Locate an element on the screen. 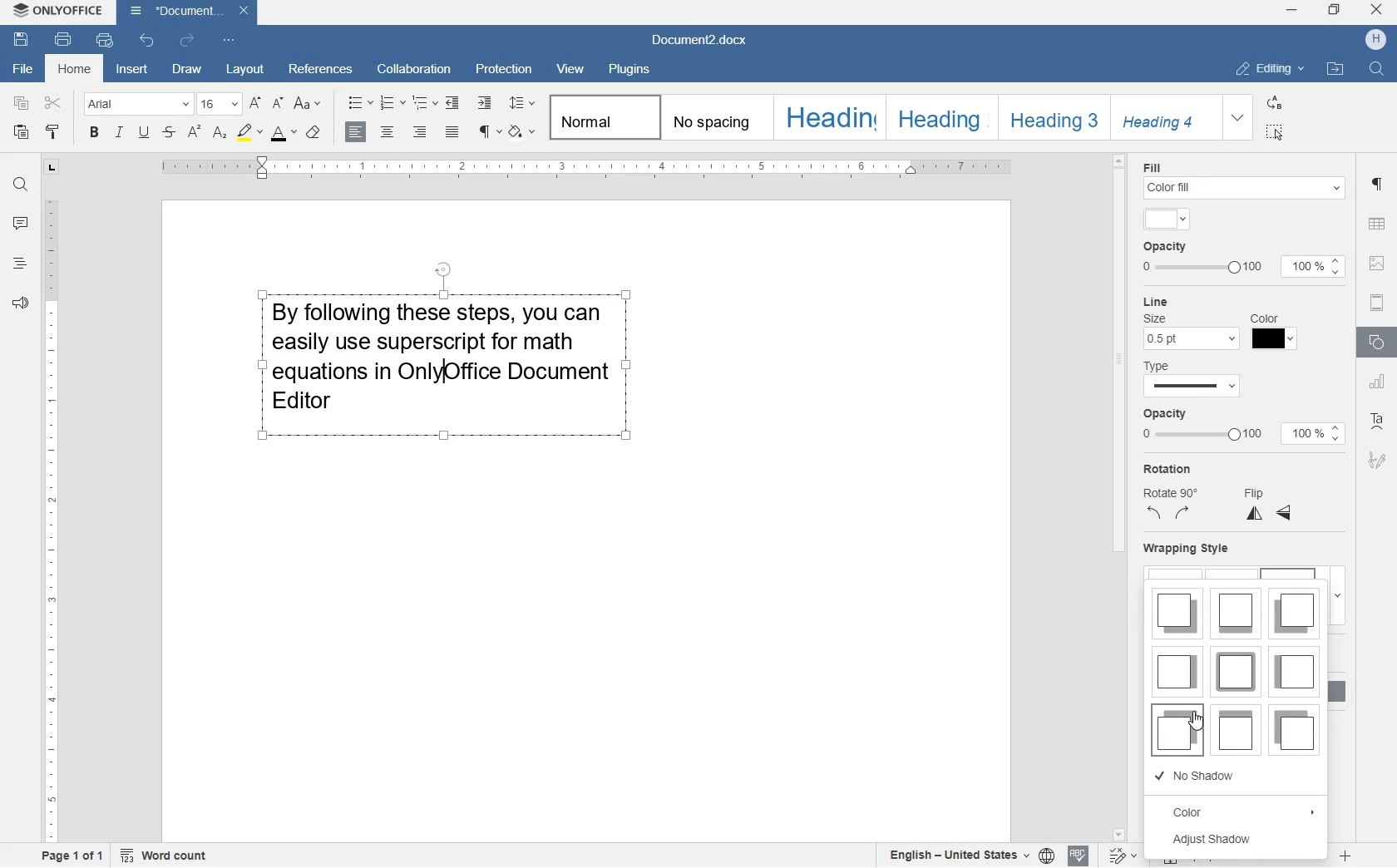 This screenshot has width=1397, height=868. FIND is located at coordinates (1378, 71).